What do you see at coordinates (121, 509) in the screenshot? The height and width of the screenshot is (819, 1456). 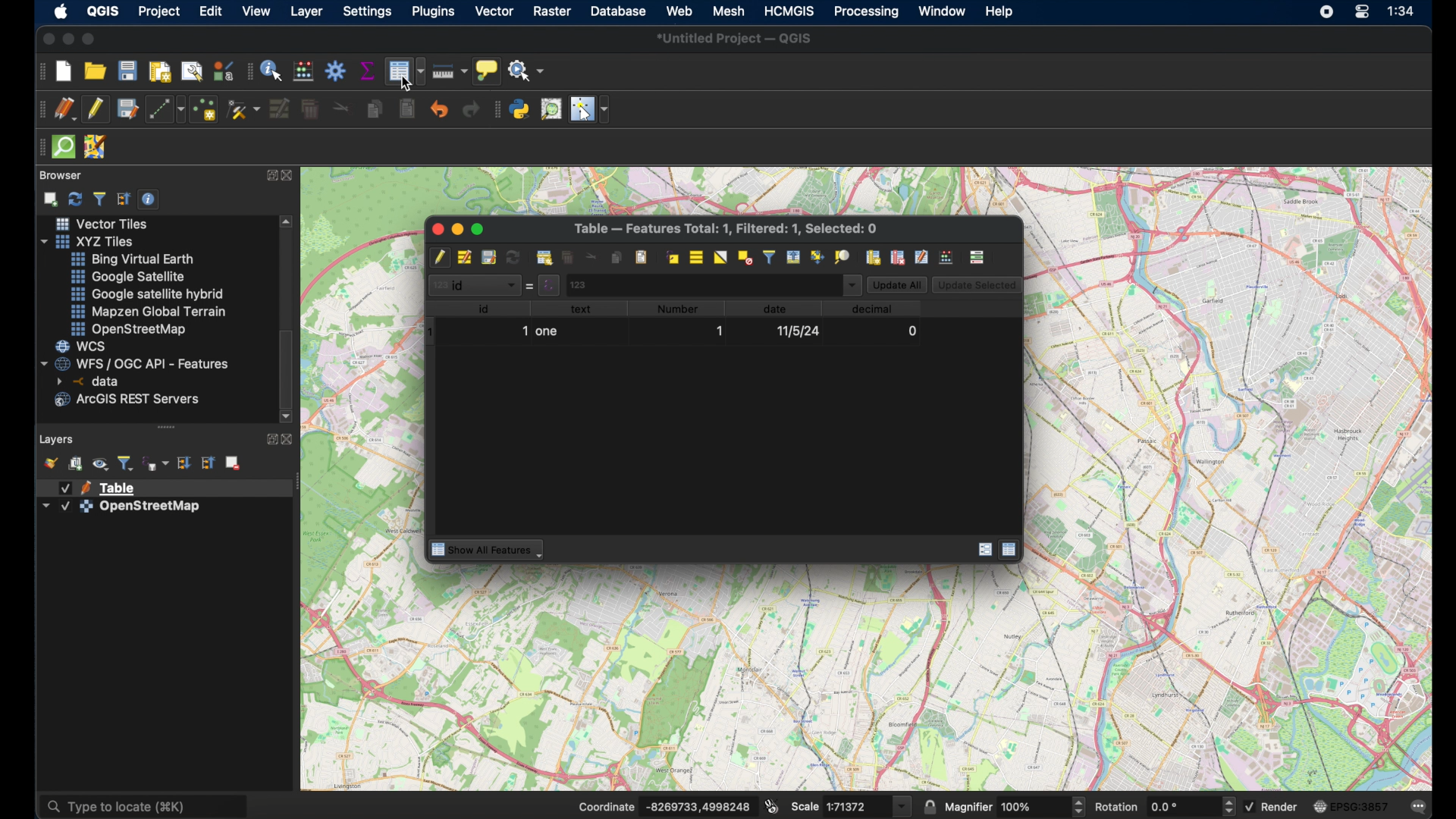 I see `openstreetmap` at bounding box center [121, 509].